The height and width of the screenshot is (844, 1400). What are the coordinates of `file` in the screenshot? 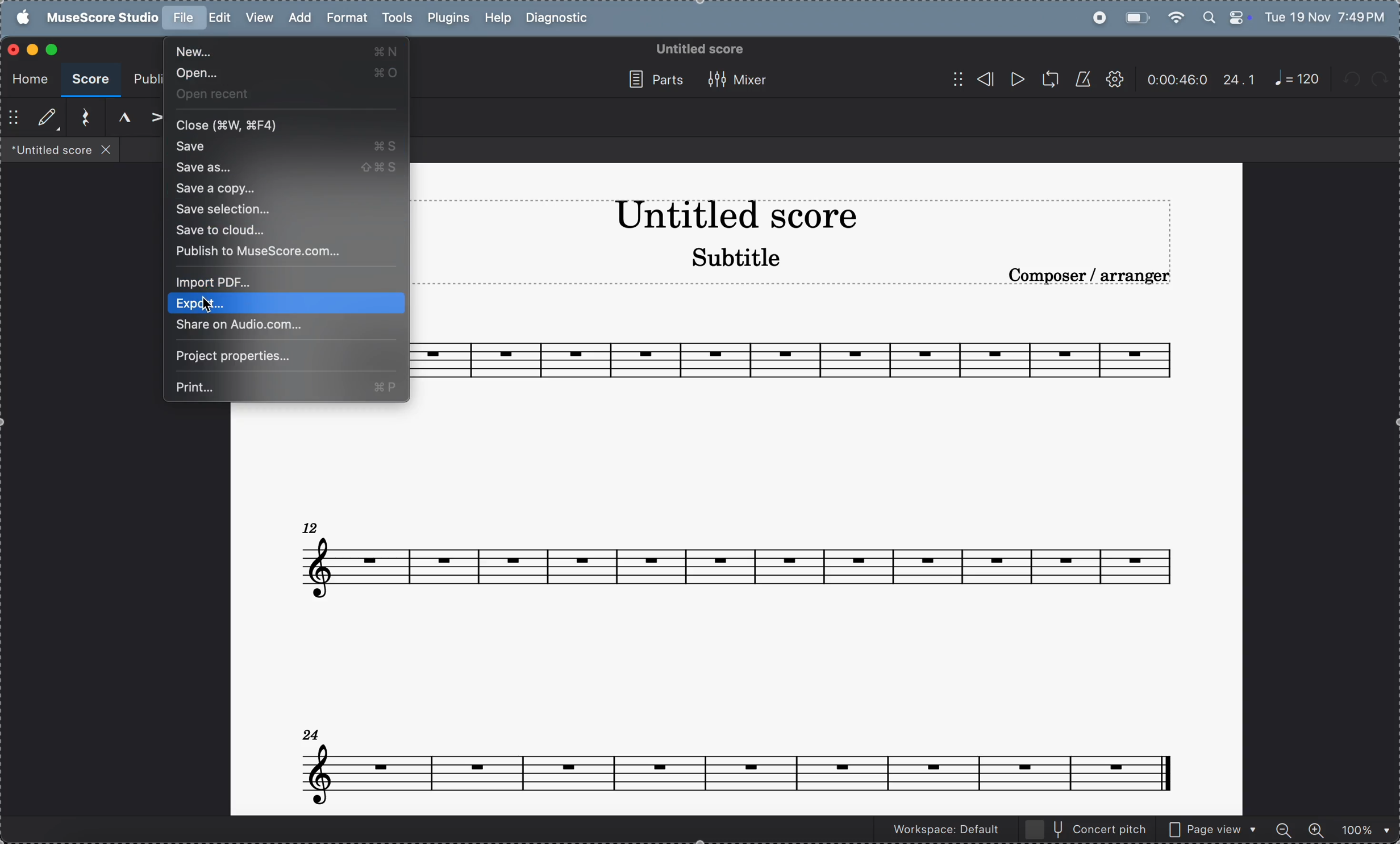 It's located at (183, 18).